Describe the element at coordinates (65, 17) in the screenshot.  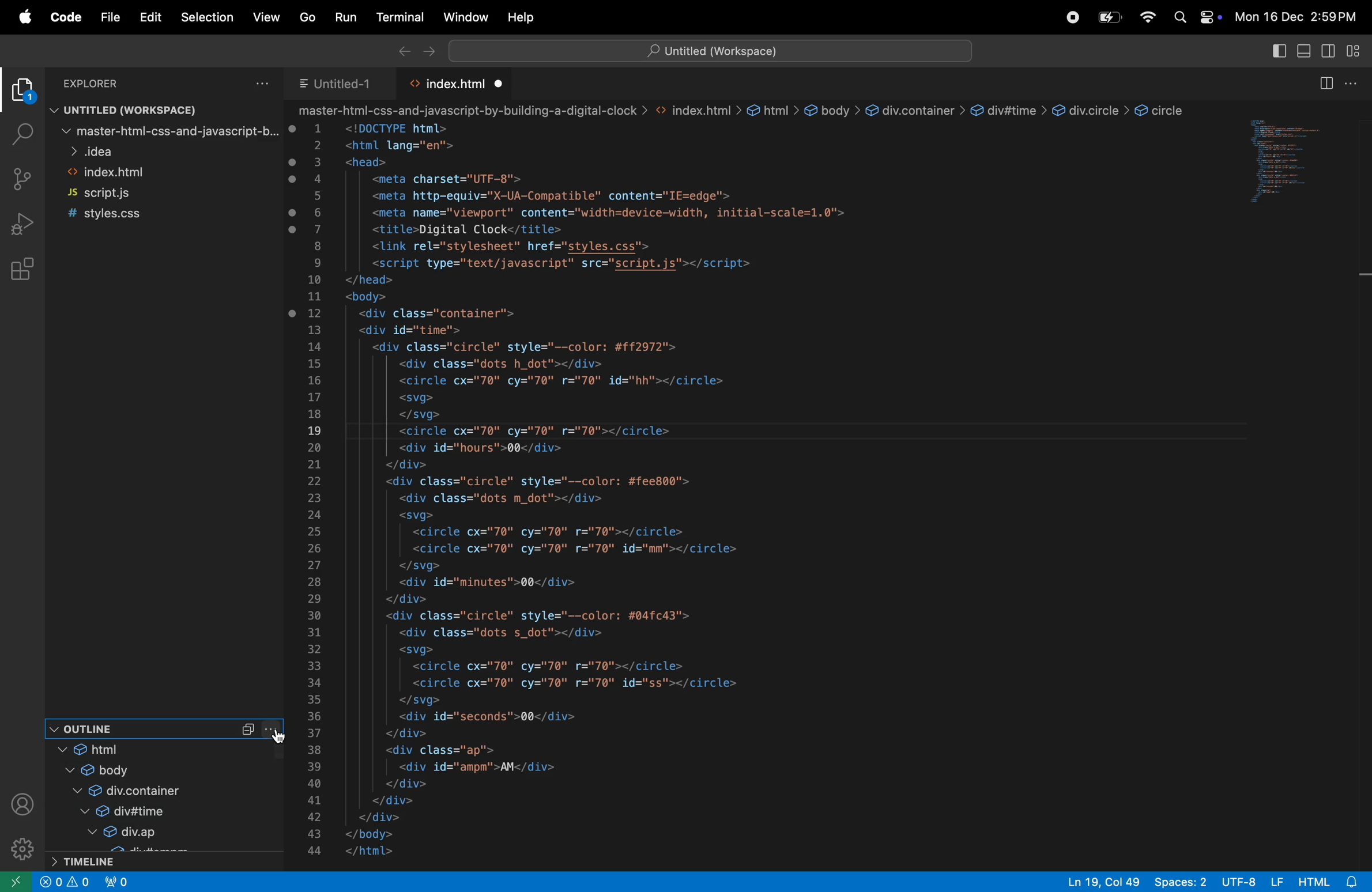
I see `code` at that location.